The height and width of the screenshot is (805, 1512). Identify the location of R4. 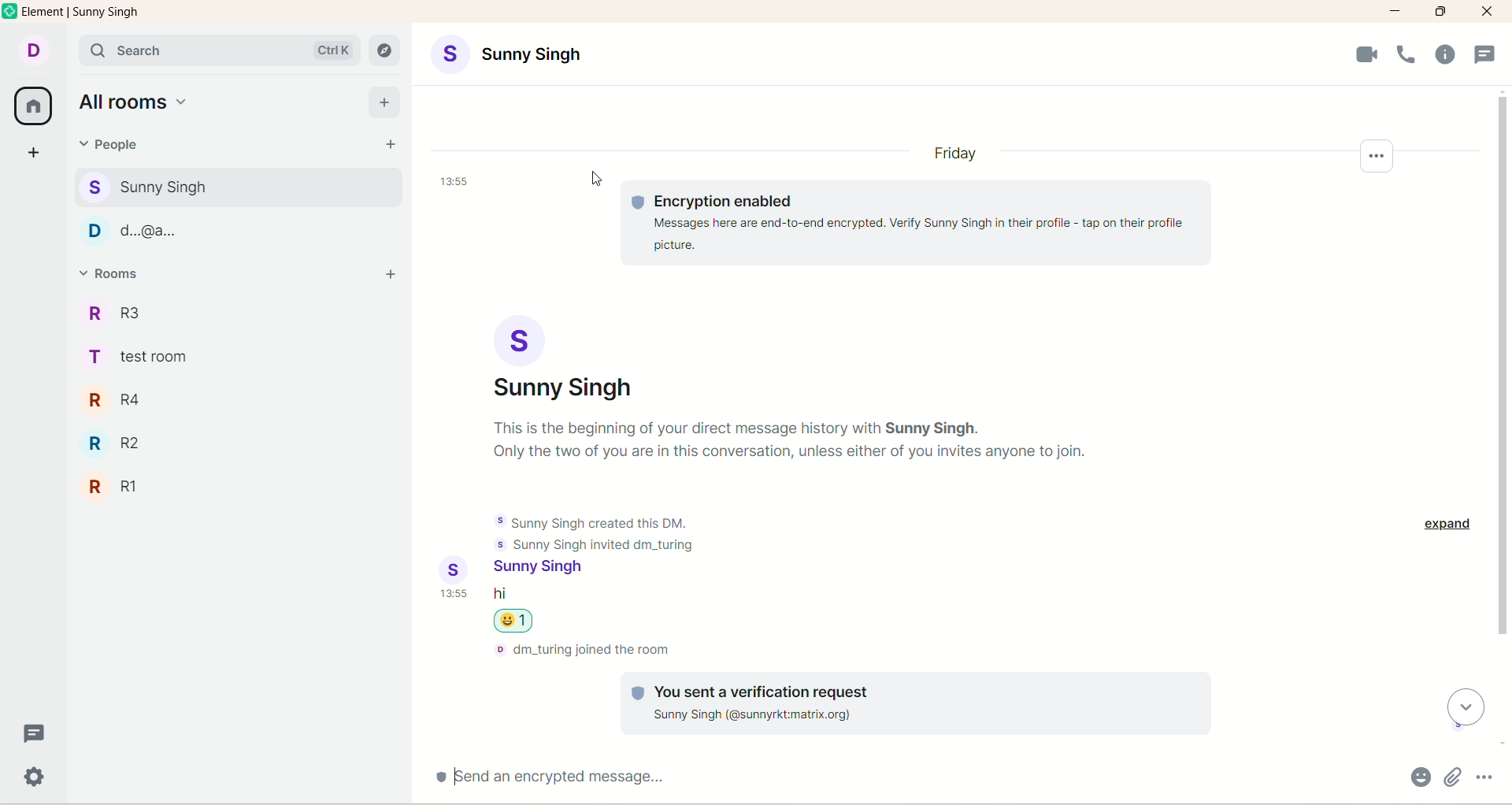
(129, 400).